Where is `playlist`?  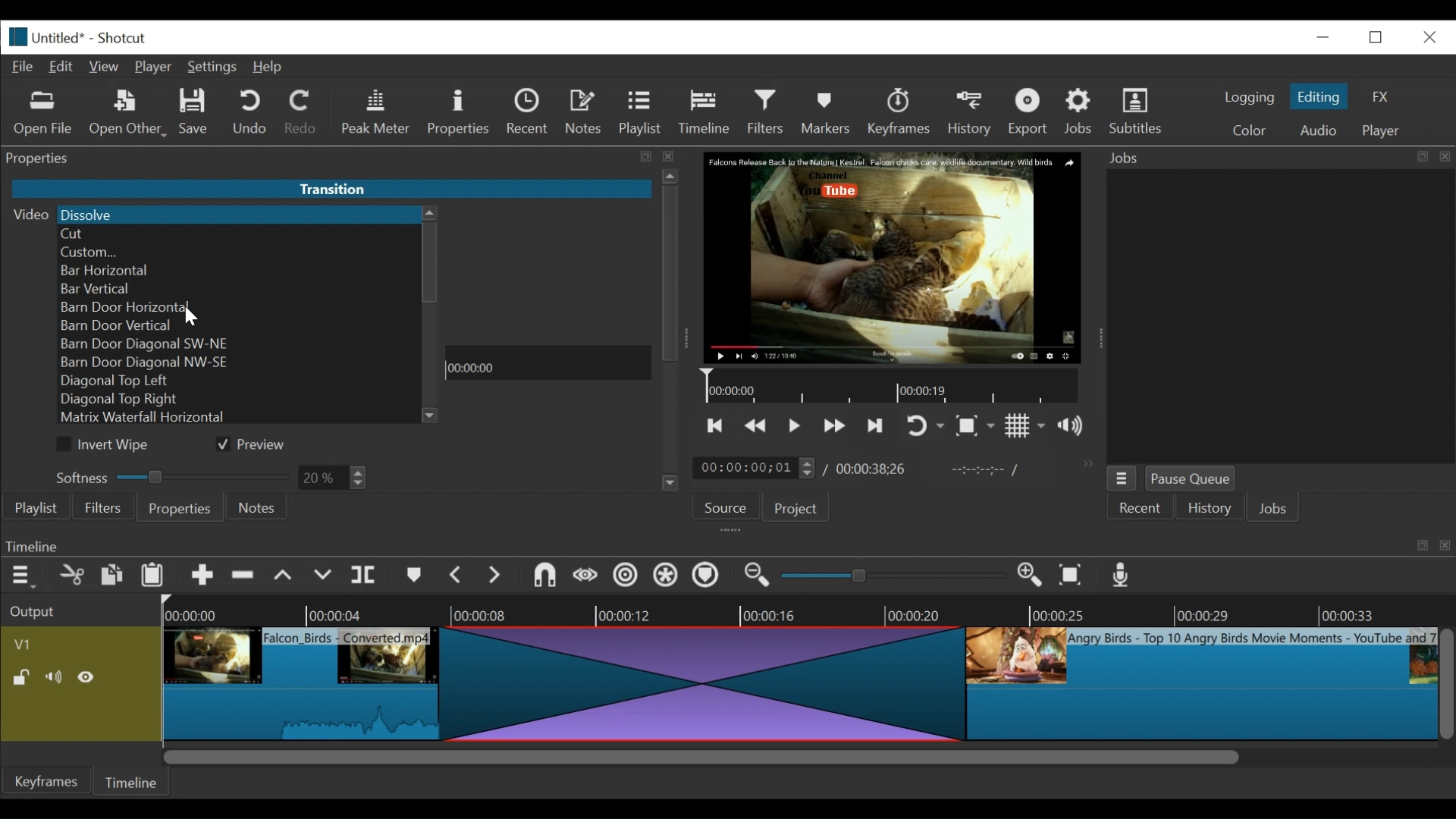
playlist is located at coordinates (35, 508).